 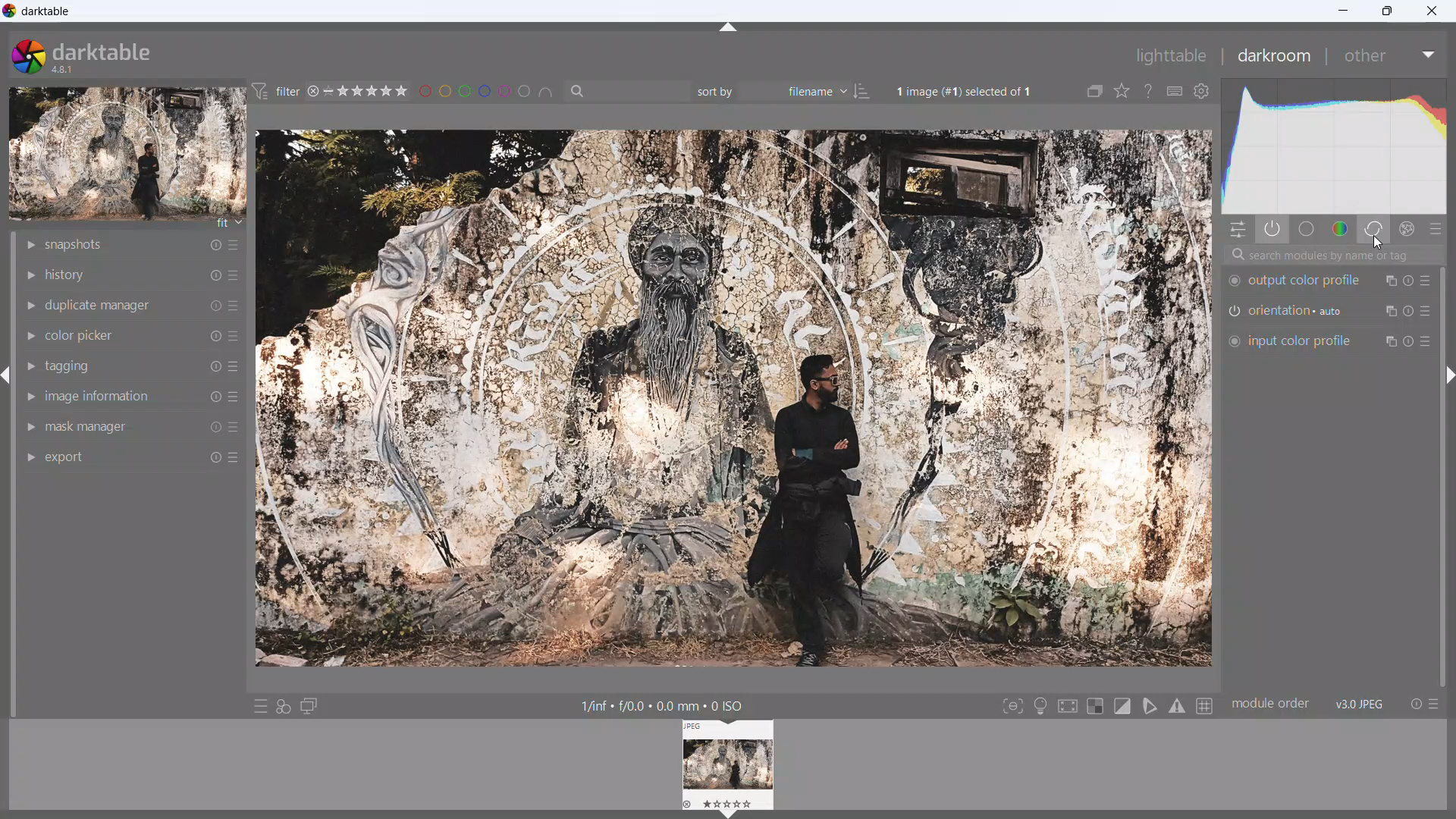 I want to click on histogram, so click(x=1335, y=144).